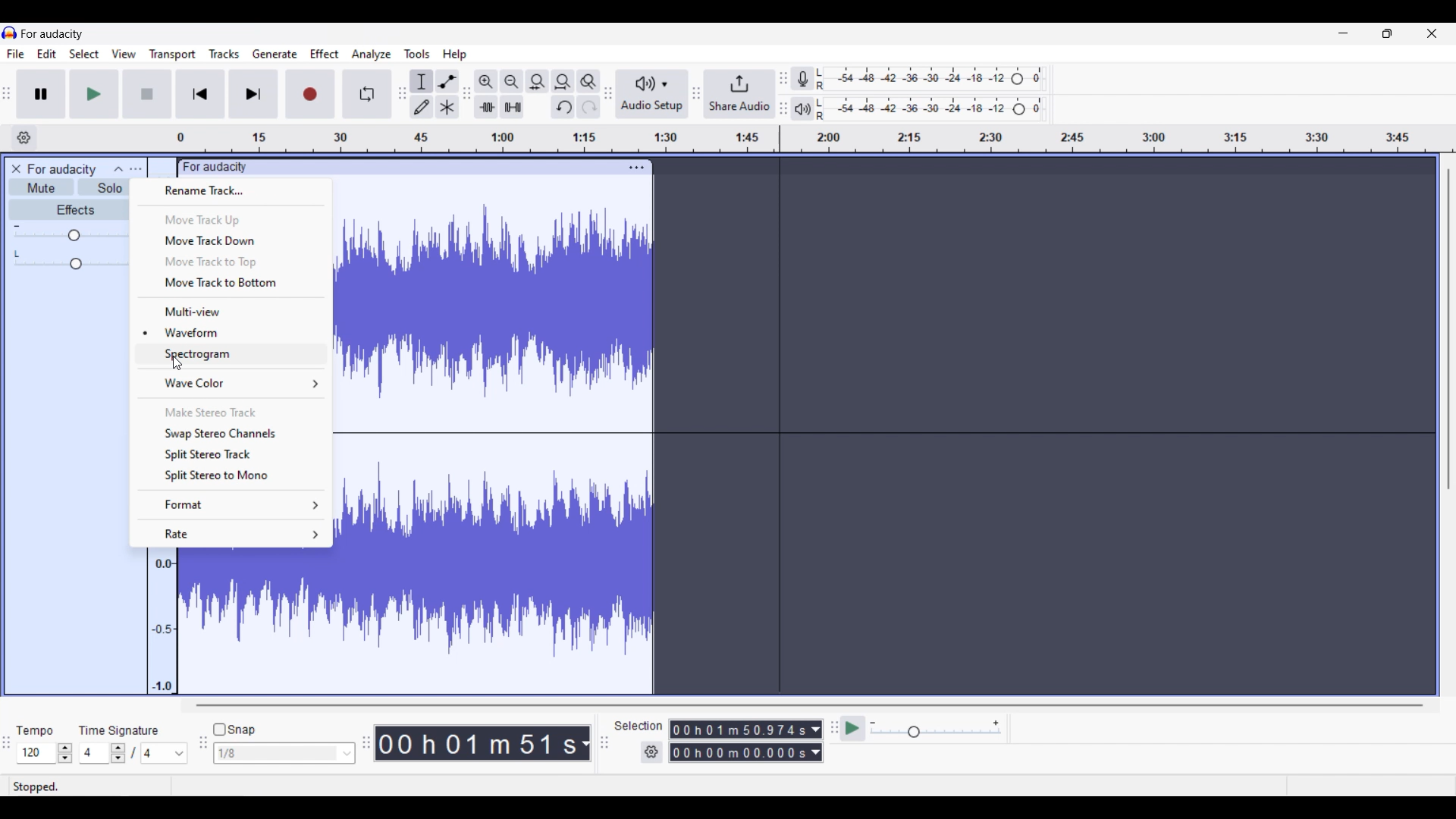 The width and height of the screenshot is (1456, 819). Describe the element at coordinates (231, 453) in the screenshot. I see `Split stereo track` at that location.